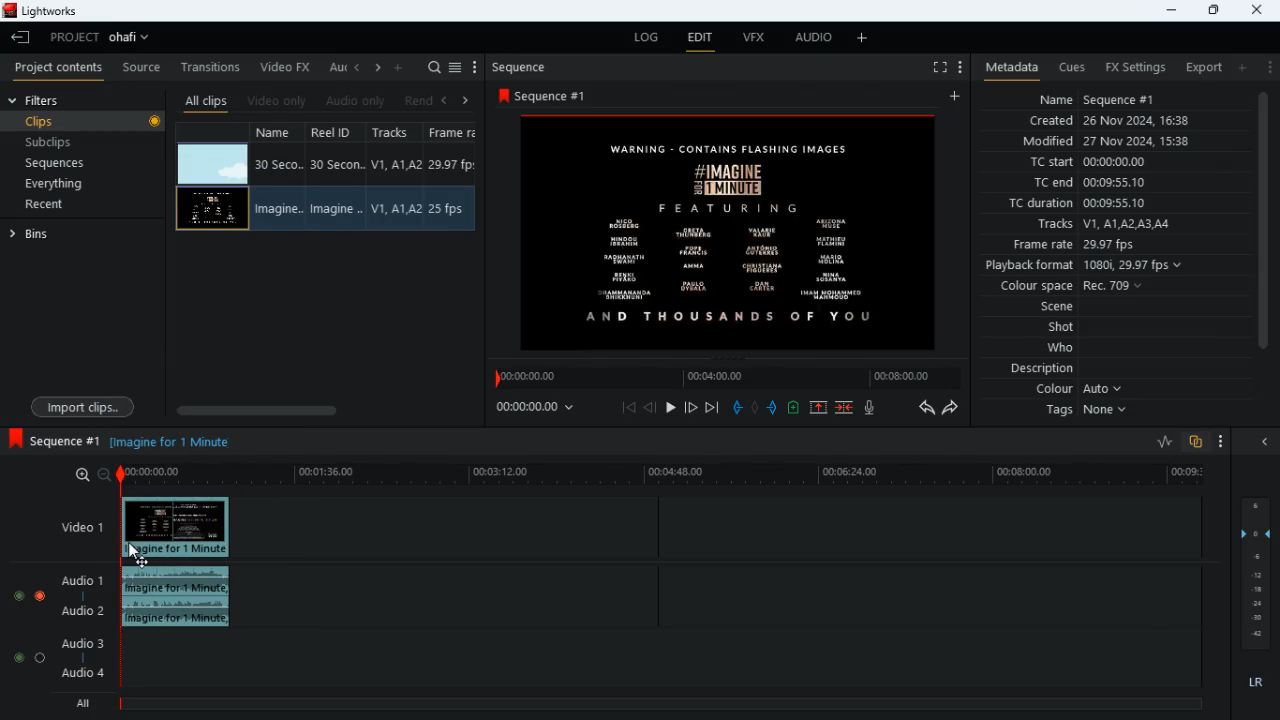 Image resolution: width=1280 pixels, height=720 pixels. Describe the element at coordinates (98, 38) in the screenshot. I see `project` at that location.